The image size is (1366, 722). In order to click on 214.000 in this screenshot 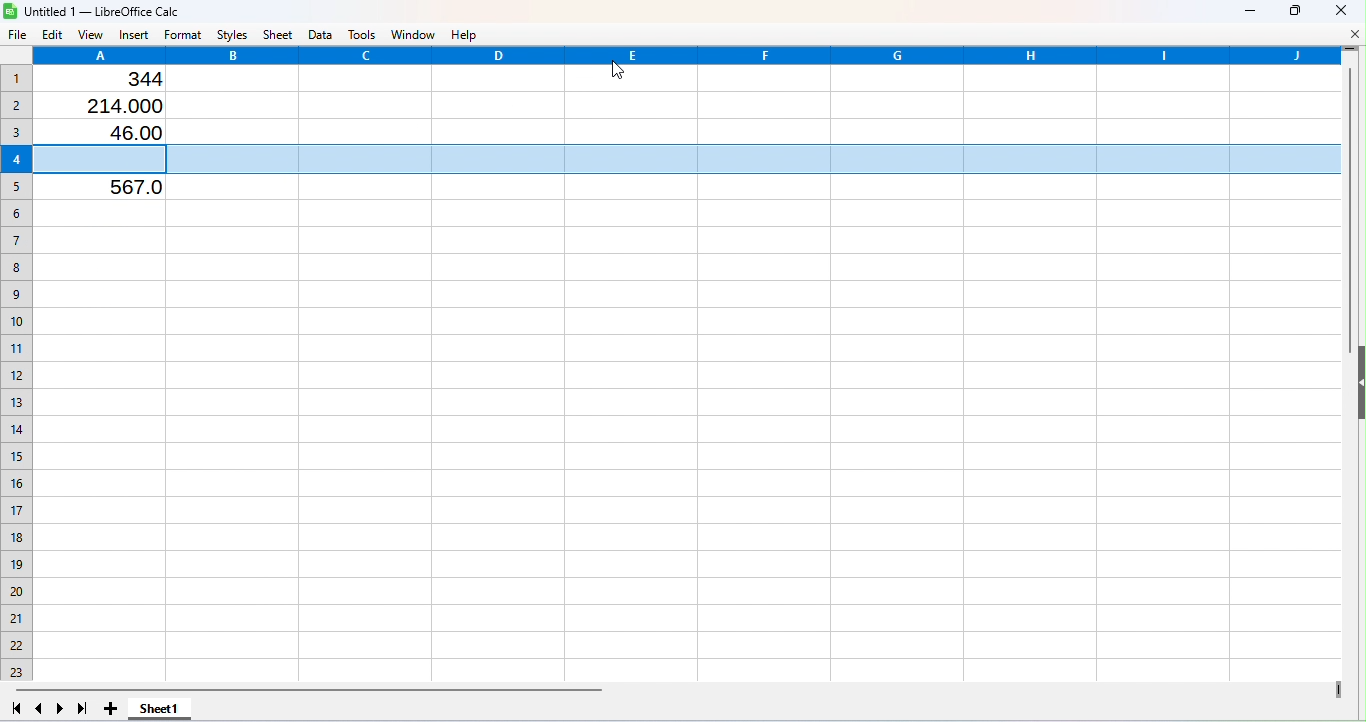, I will do `click(119, 105)`.